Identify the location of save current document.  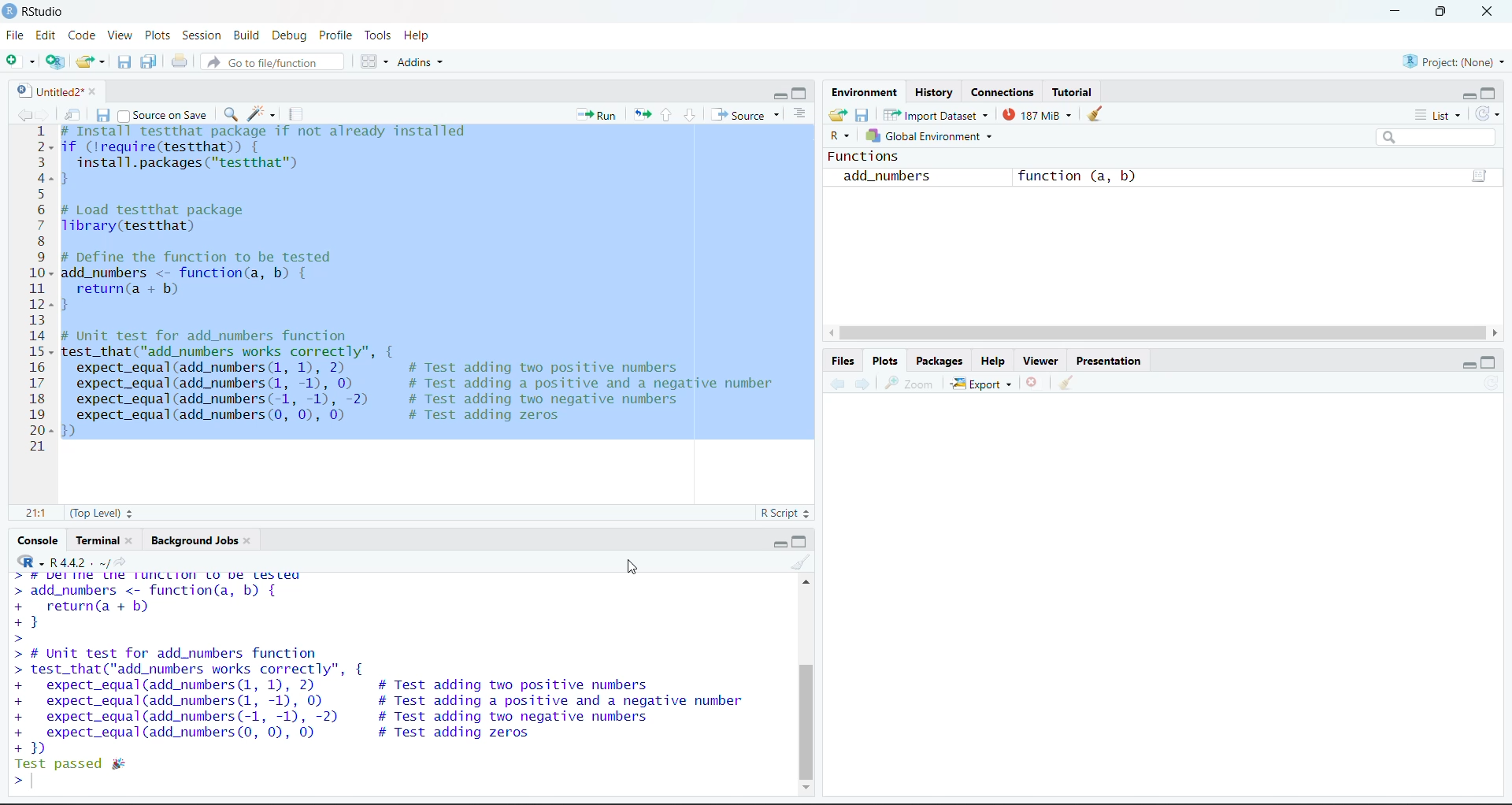
(128, 61).